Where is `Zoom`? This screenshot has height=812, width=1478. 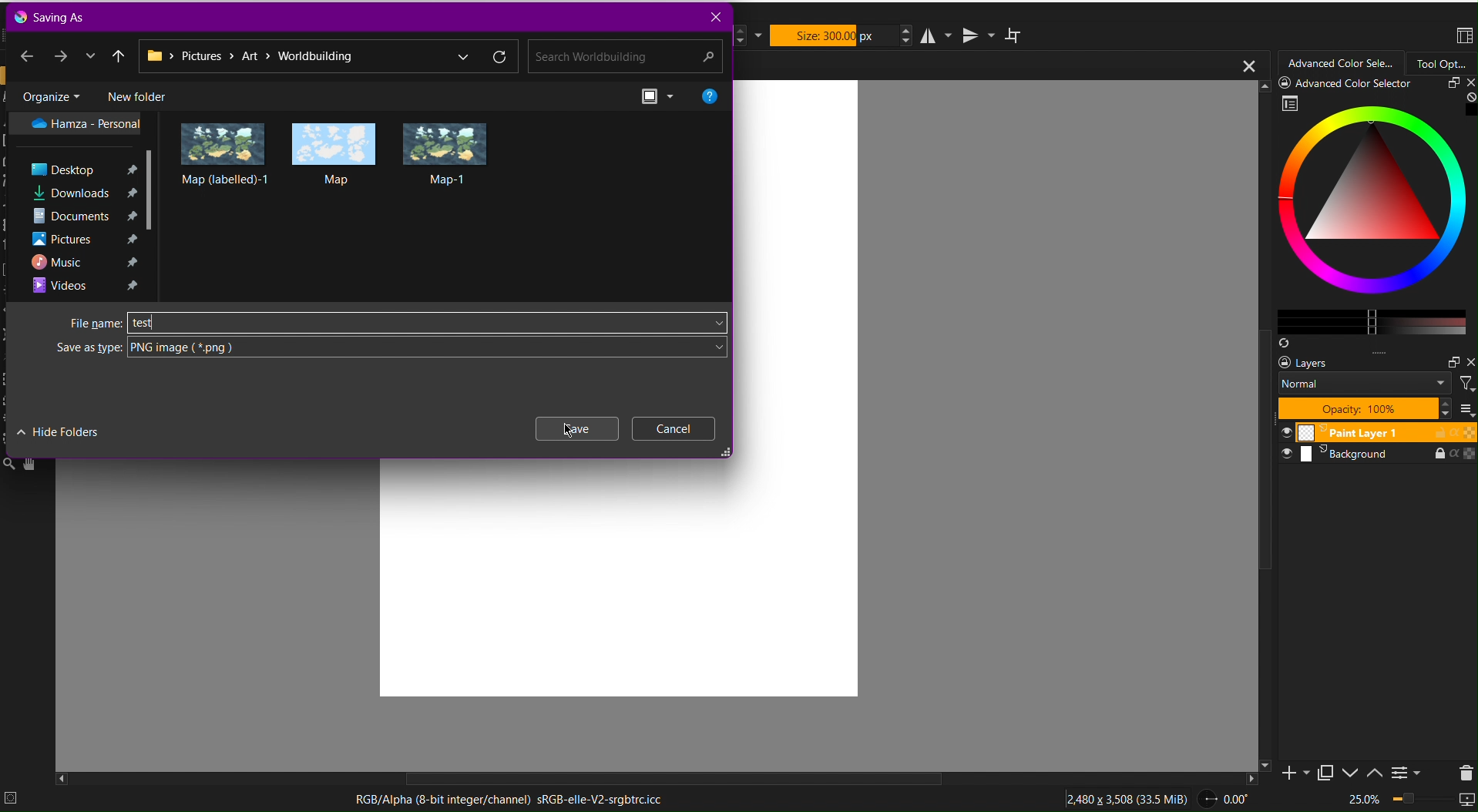 Zoom is located at coordinates (1409, 800).